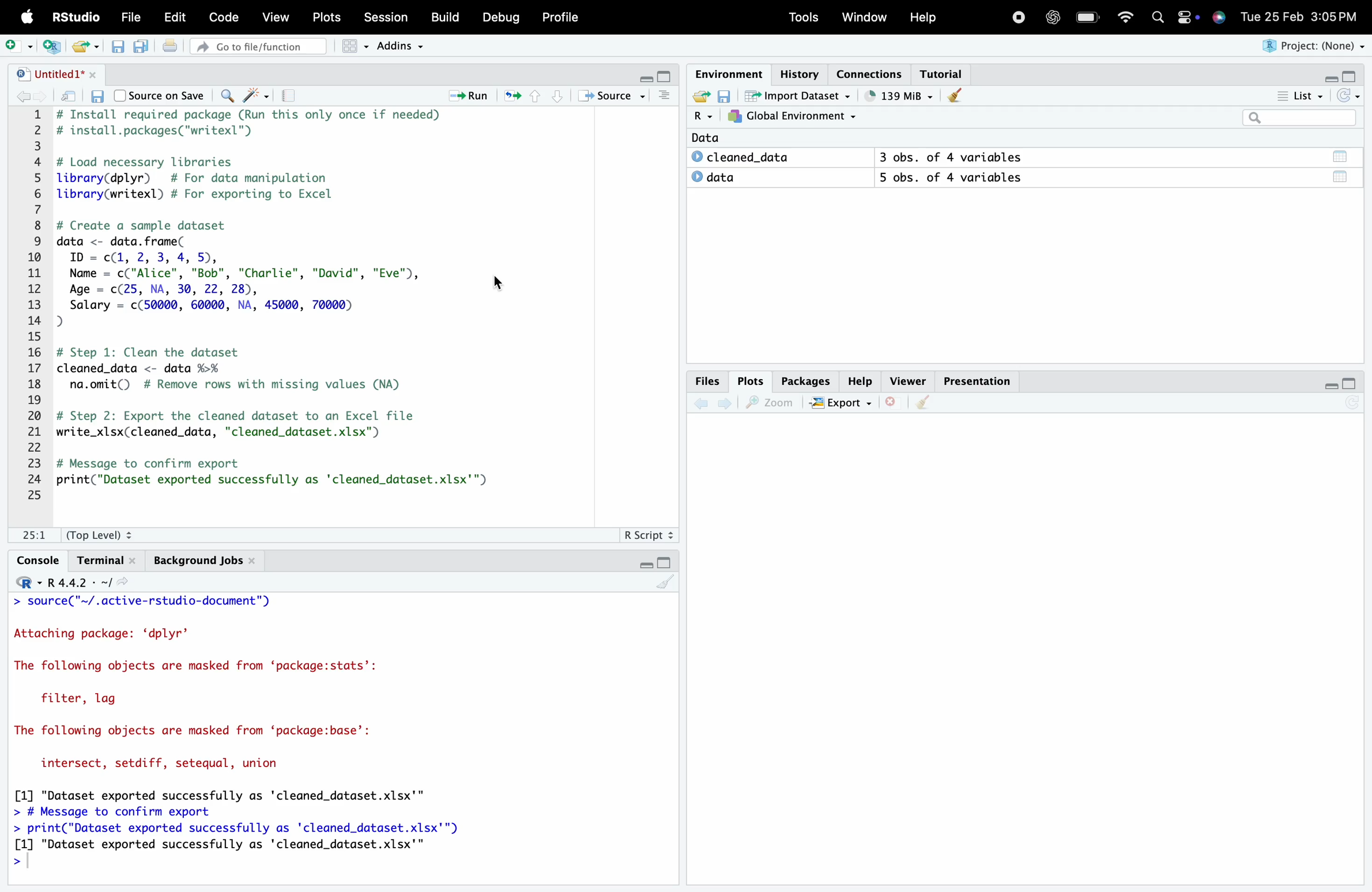  Describe the element at coordinates (665, 96) in the screenshot. I see `Show document outline (Ctrl + Shift + O)` at that location.